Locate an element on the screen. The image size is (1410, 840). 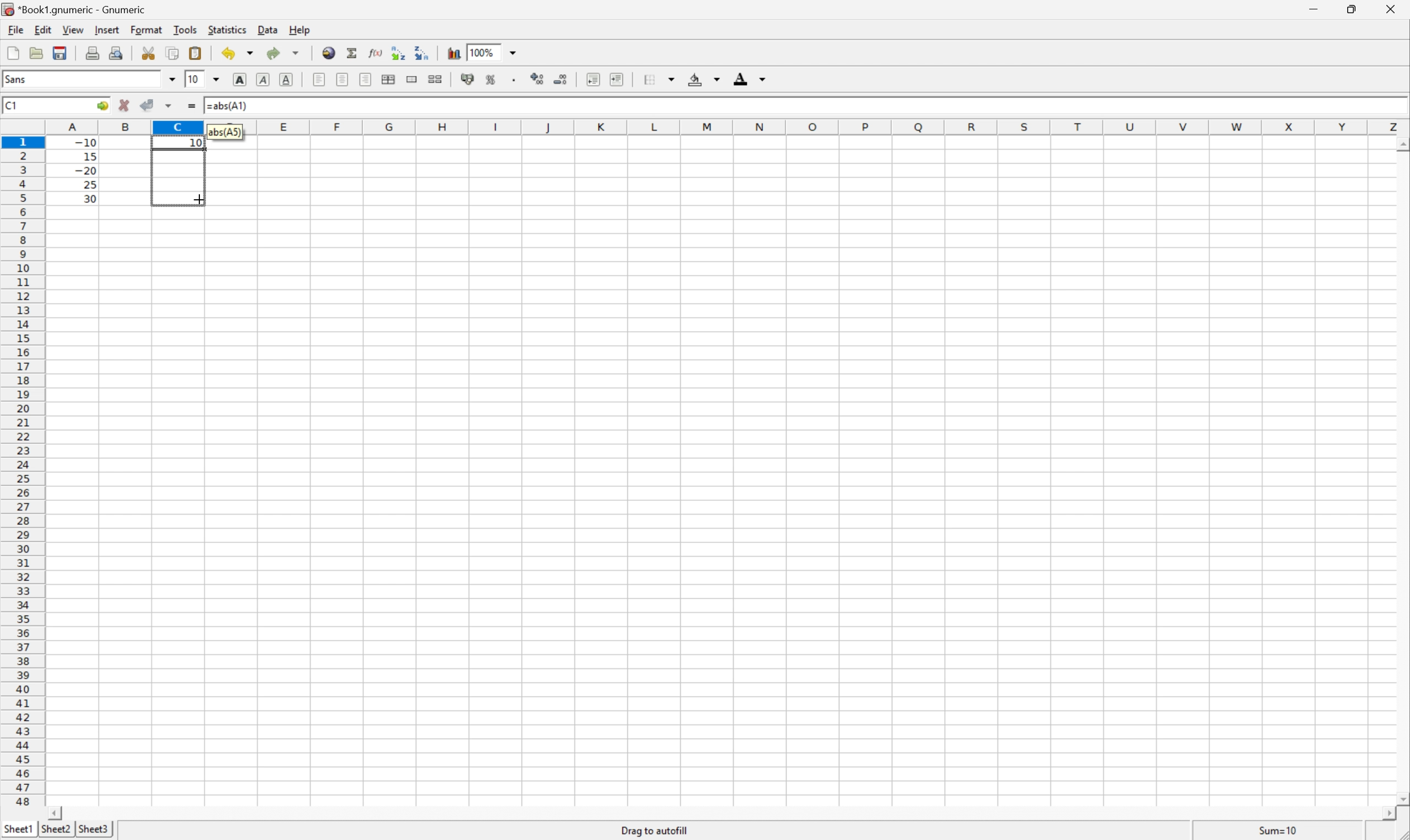
Copy the selection is located at coordinates (152, 49).